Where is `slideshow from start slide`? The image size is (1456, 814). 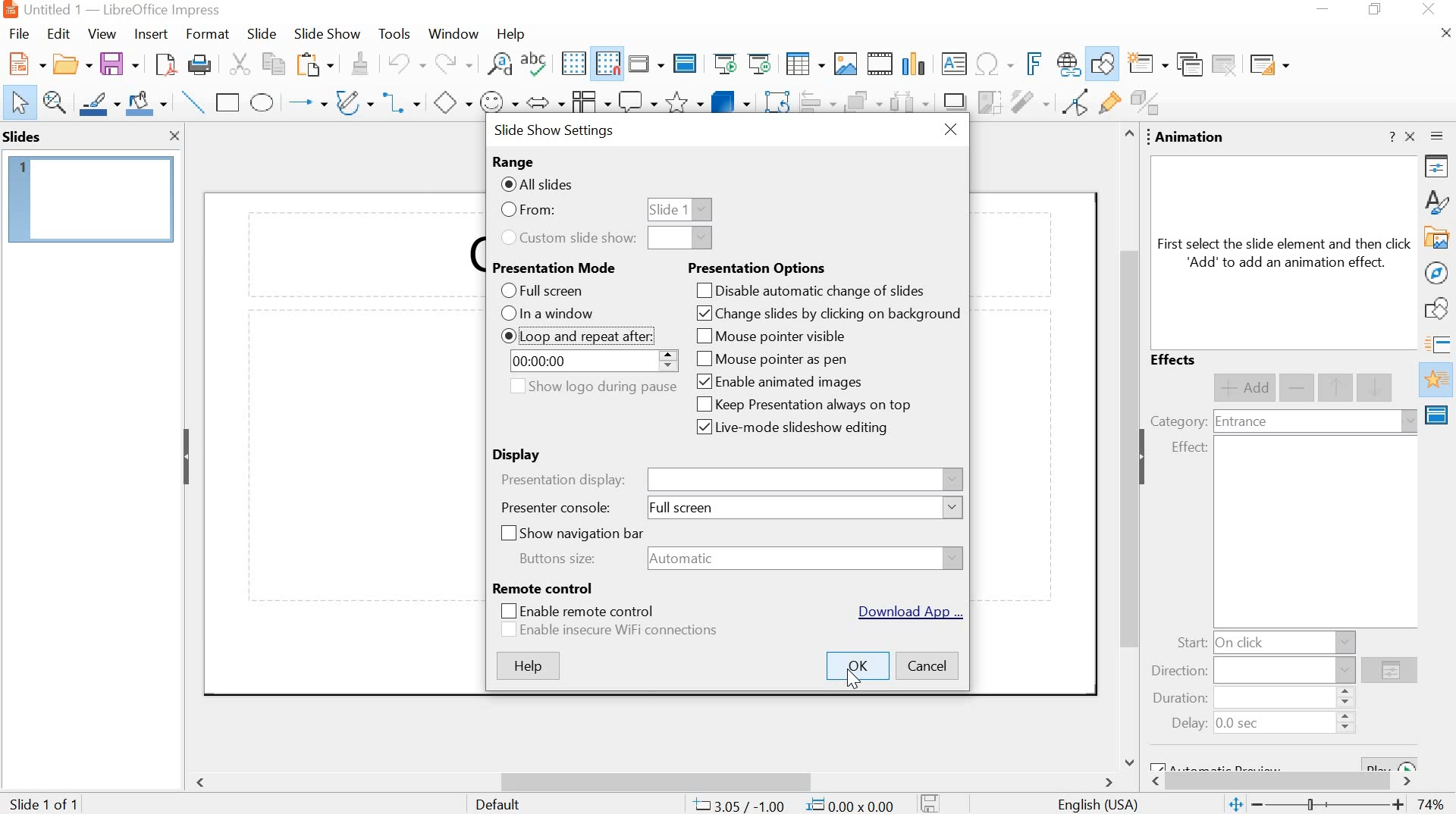
slideshow from start slide is located at coordinates (725, 65).